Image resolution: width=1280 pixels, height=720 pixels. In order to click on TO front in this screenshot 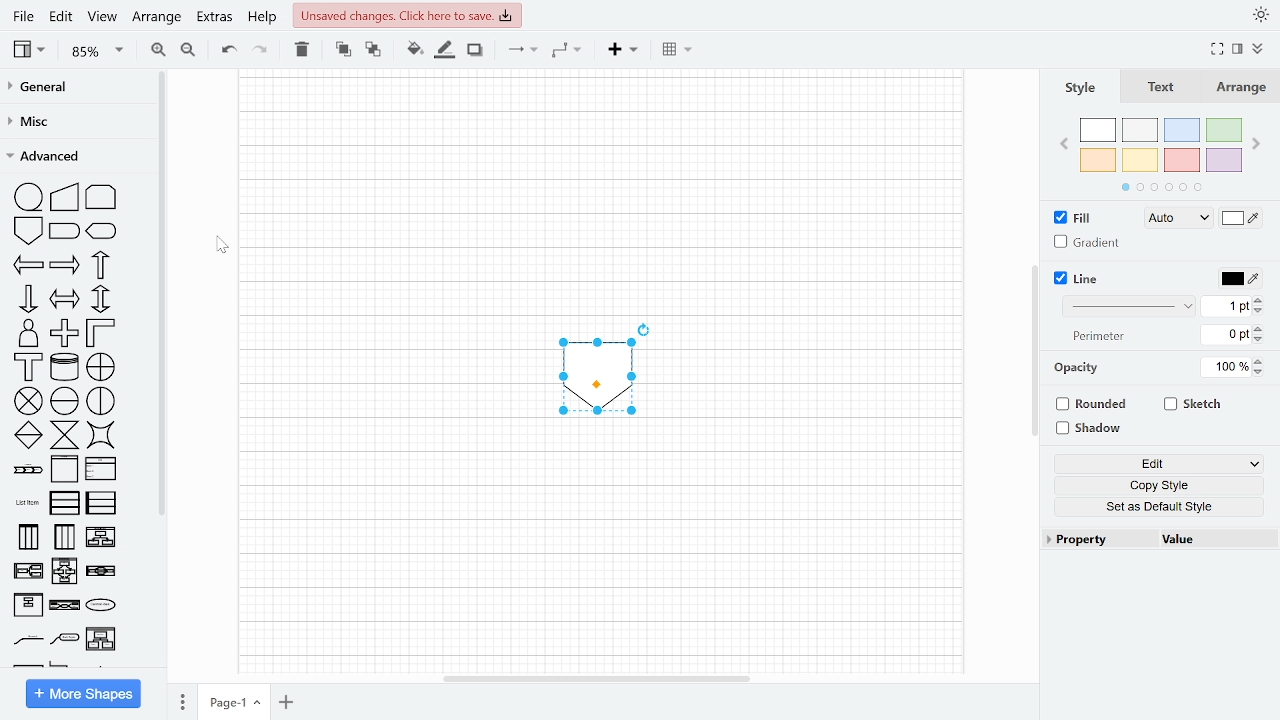, I will do `click(345, 51)`.